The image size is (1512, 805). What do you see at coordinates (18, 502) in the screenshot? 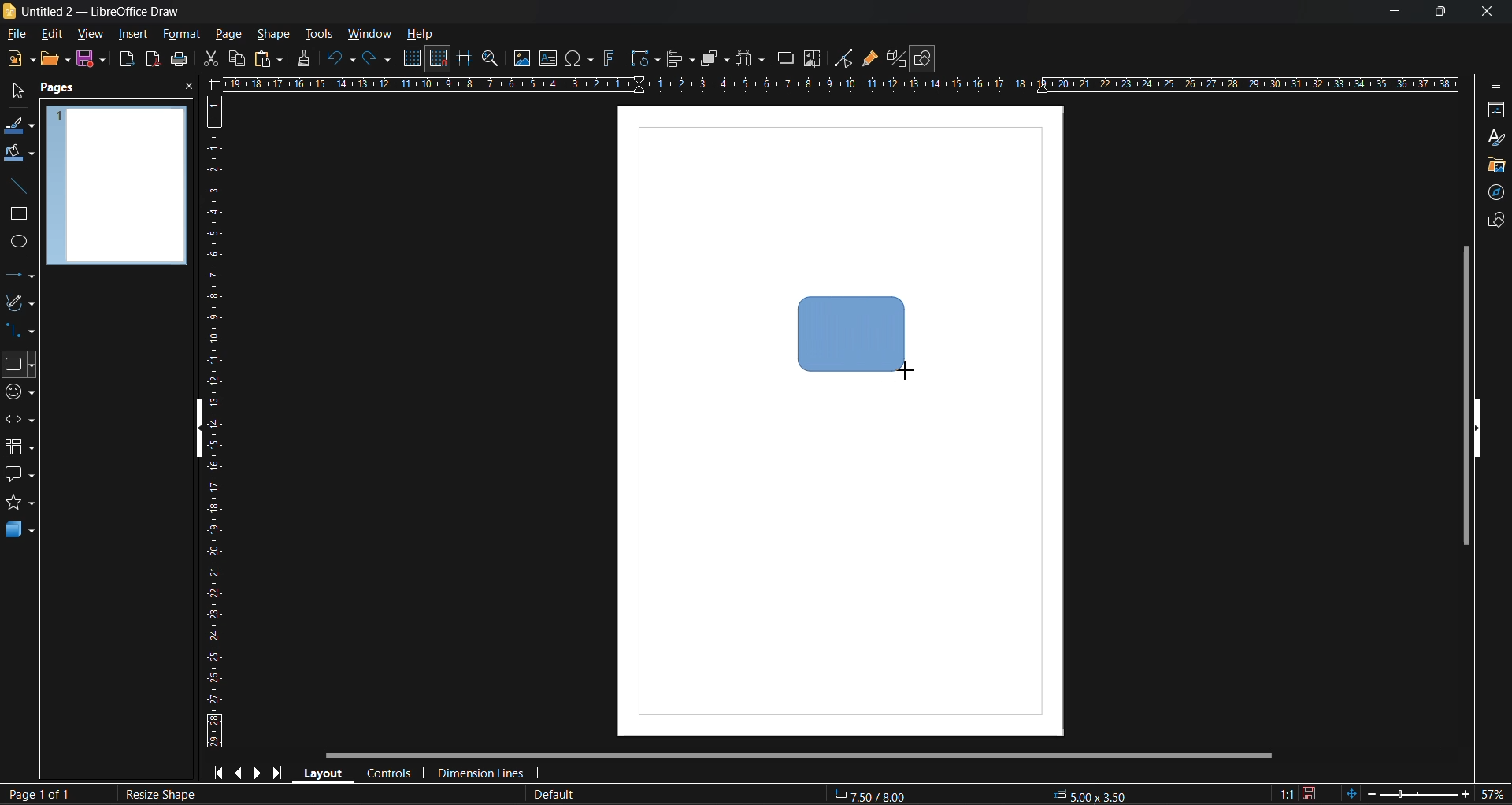
I see `stars and banners` at bounding box center [18, 502].